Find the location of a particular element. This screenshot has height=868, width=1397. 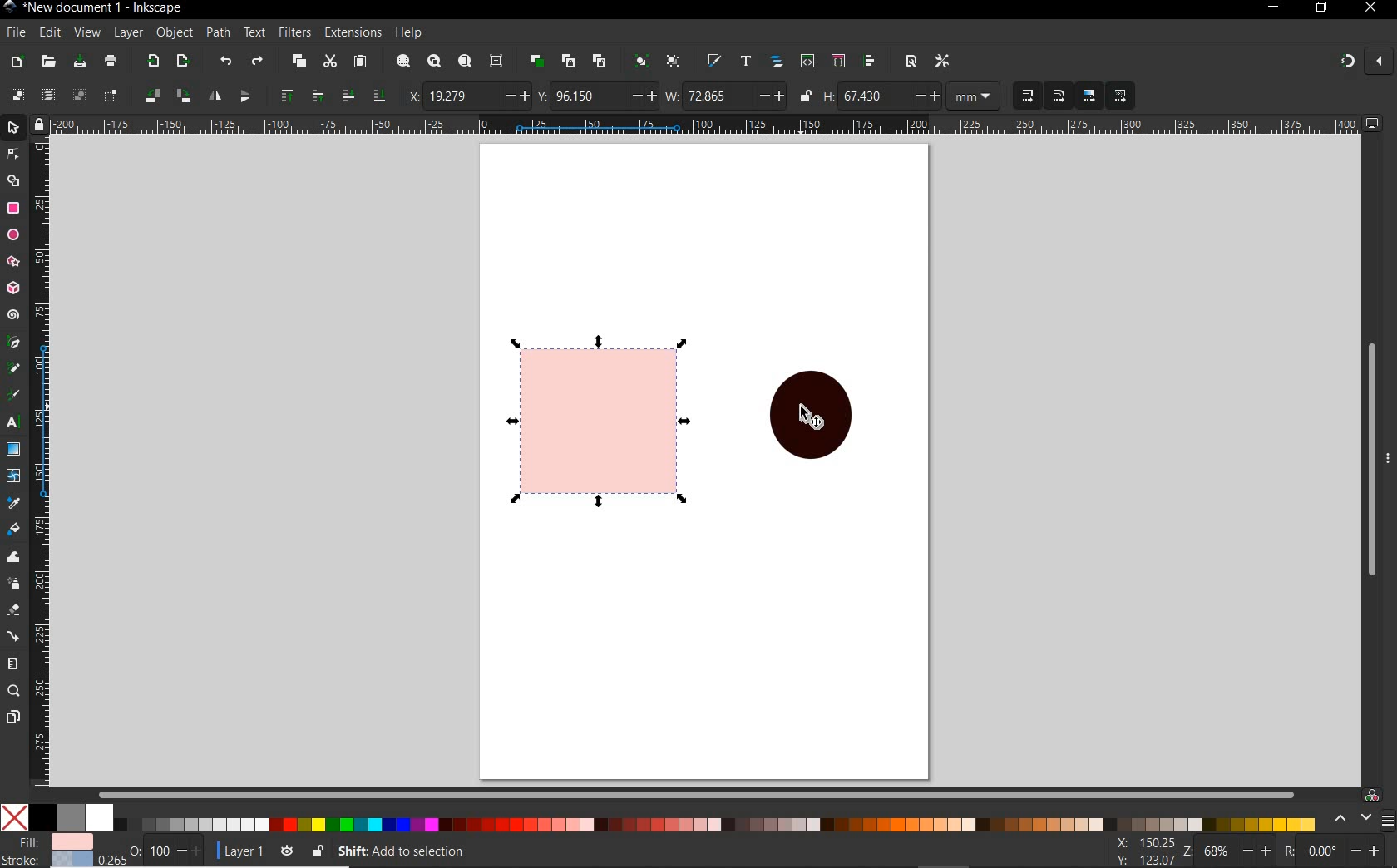

width selection is located at coordinates (726, 97).